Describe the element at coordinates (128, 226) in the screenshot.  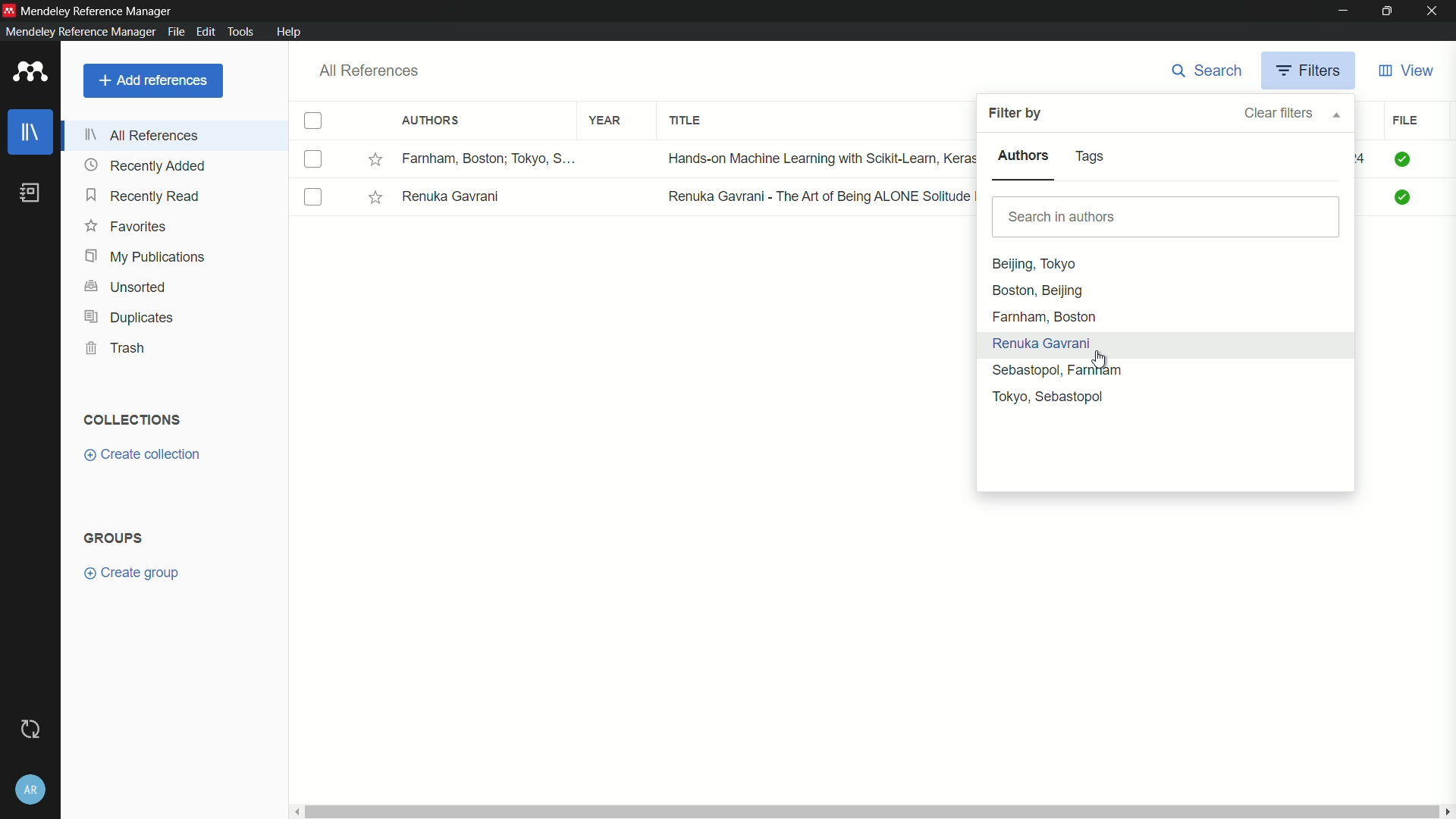
I see `favorites` at that location.